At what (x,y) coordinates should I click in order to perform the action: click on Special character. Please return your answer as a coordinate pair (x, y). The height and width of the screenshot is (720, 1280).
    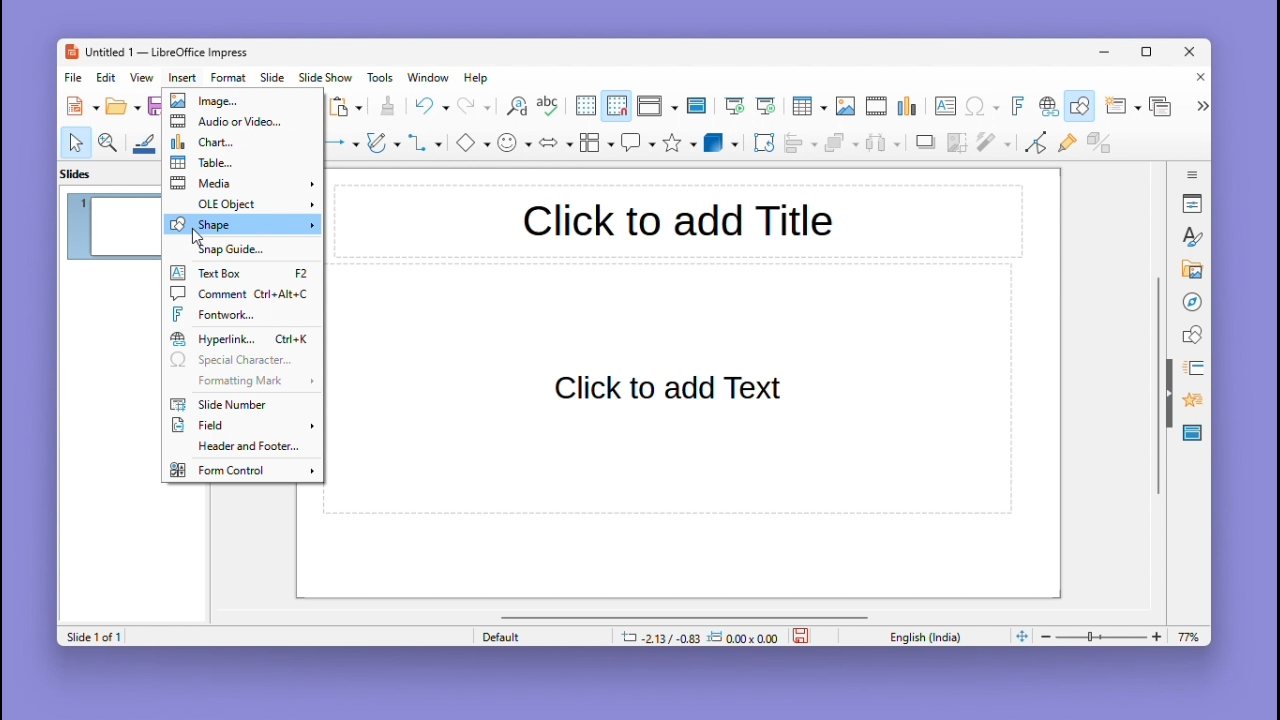
    Looking at the image, I should click on (242, 361).